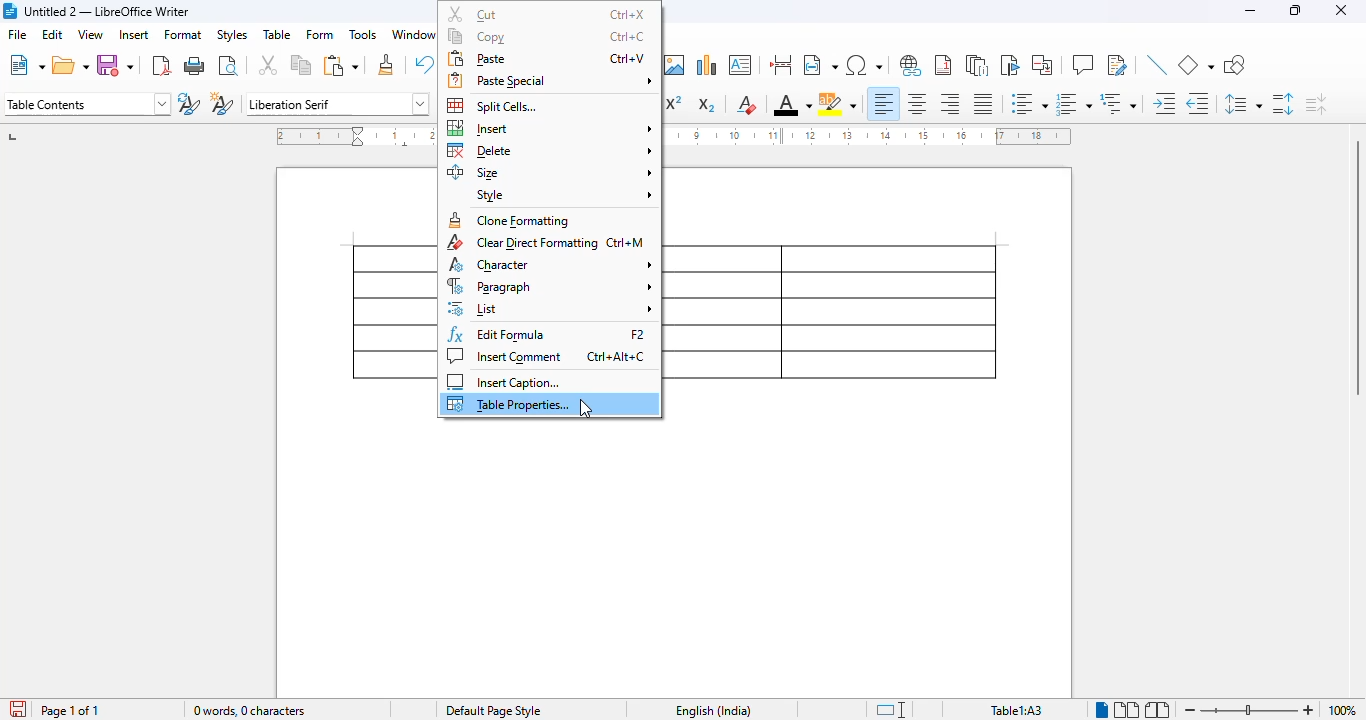 This screenshot has height=720, width=1366. Describe the element at coordinates (1158, 64) in the screenshot. I see `insert line` at that location.